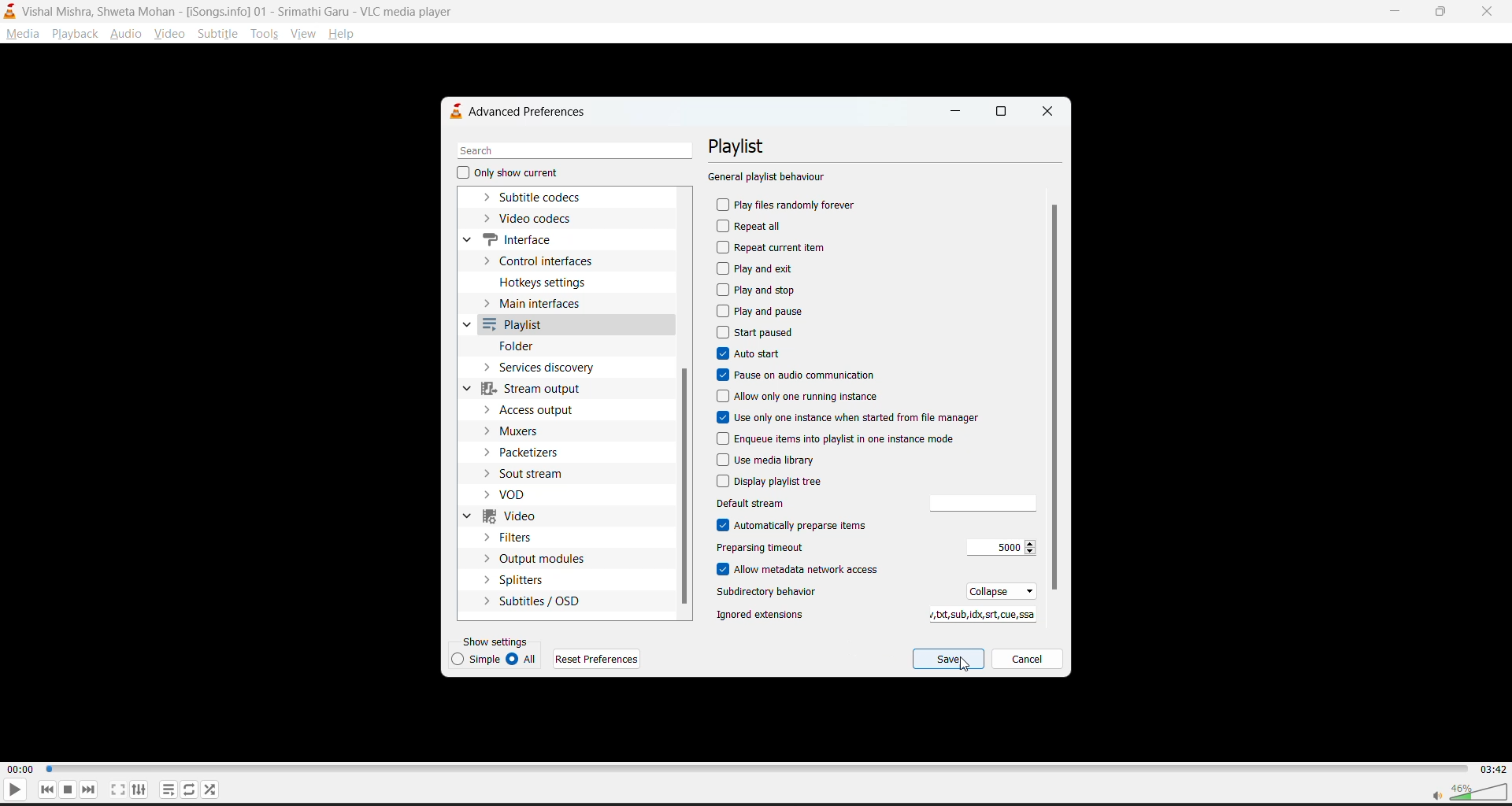  Describe the element at coordinates (774, 248) in the screenshot. I see `repeat current item` at that location.